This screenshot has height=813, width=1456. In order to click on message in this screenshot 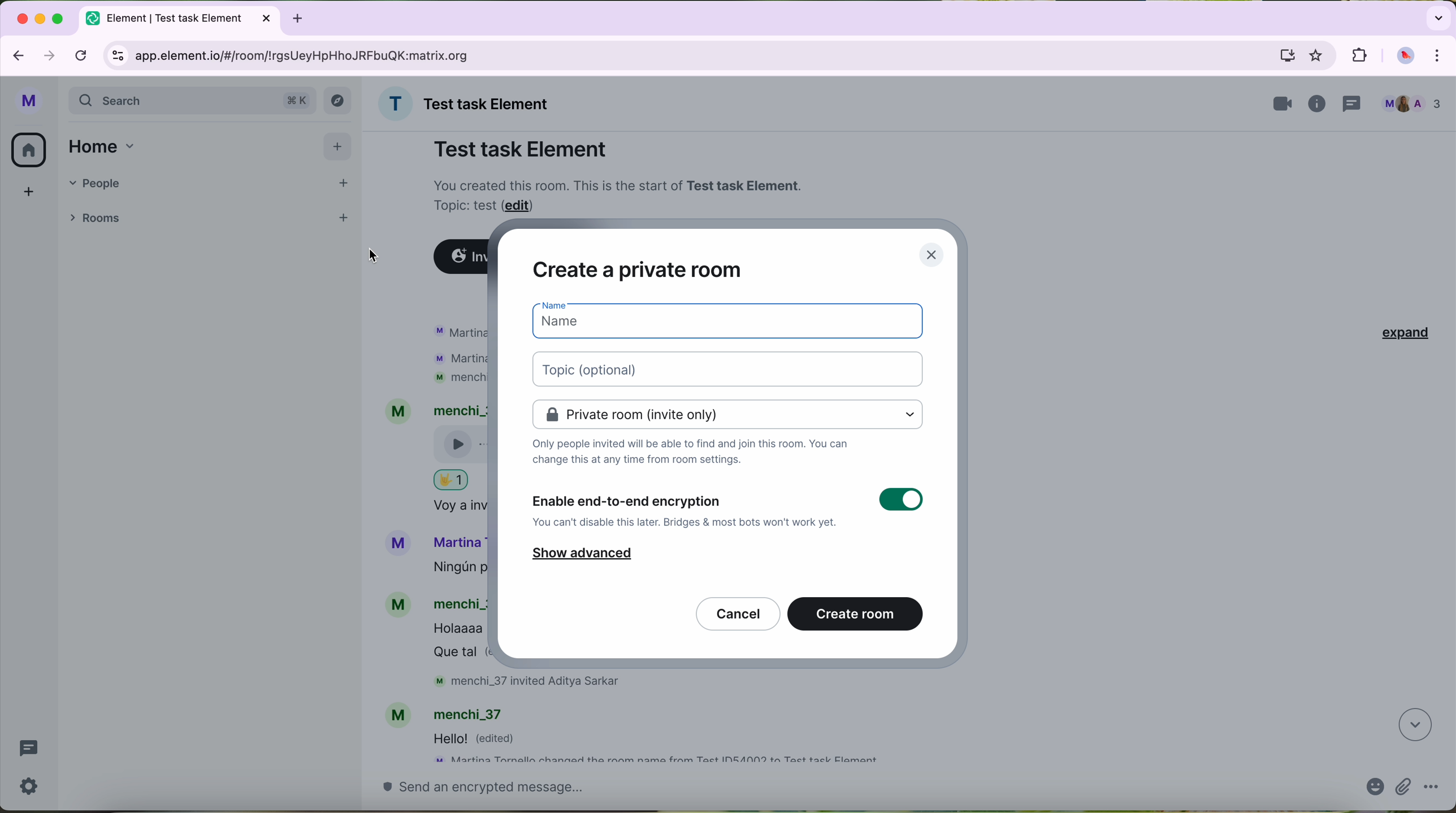, I will do `click(482, 740)`.